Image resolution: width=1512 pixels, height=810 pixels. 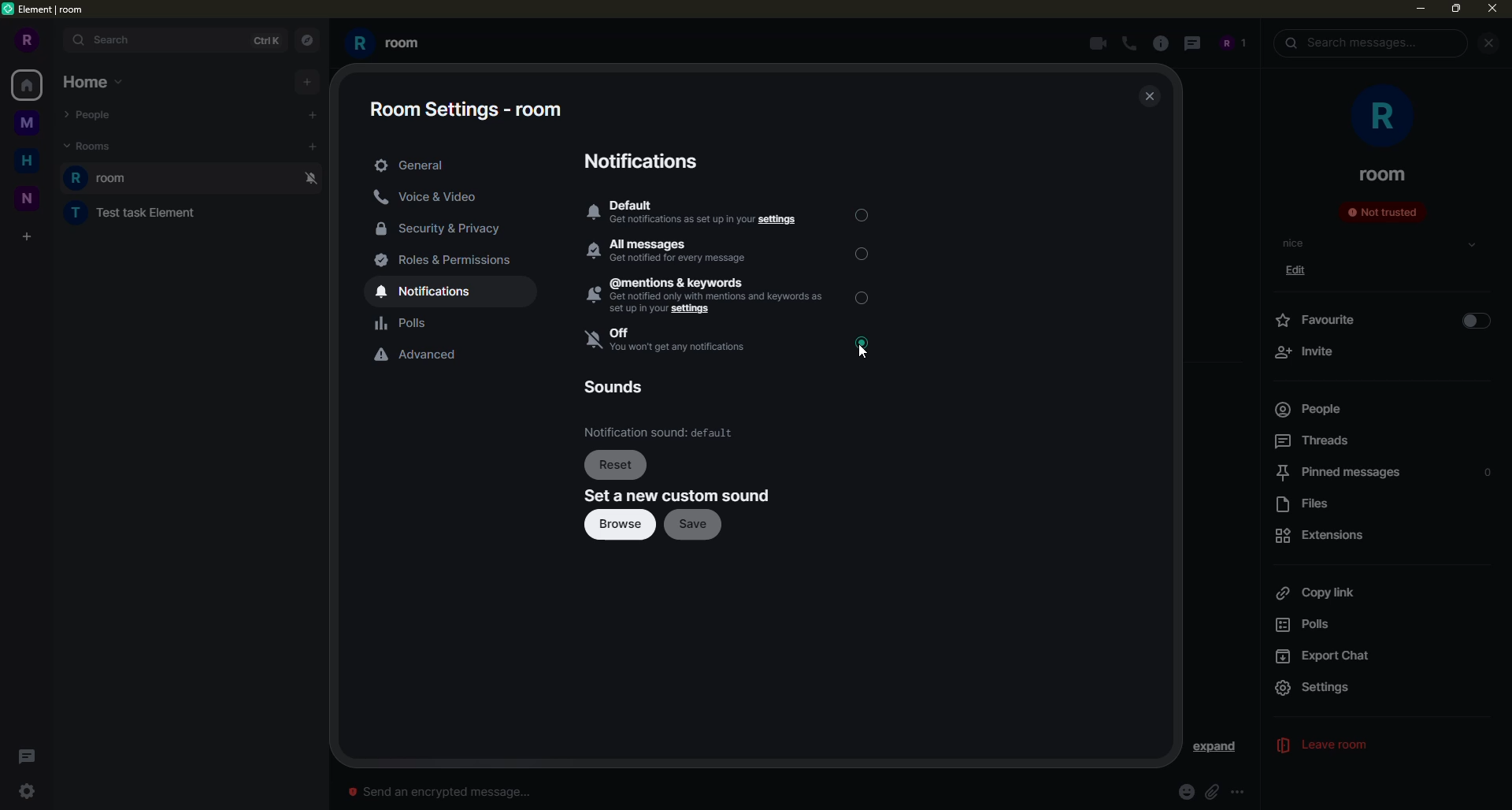 What do you see at coordinates (469, 112) in the screenshot?
I see `room settings-room` at bounding box center [469, 112].